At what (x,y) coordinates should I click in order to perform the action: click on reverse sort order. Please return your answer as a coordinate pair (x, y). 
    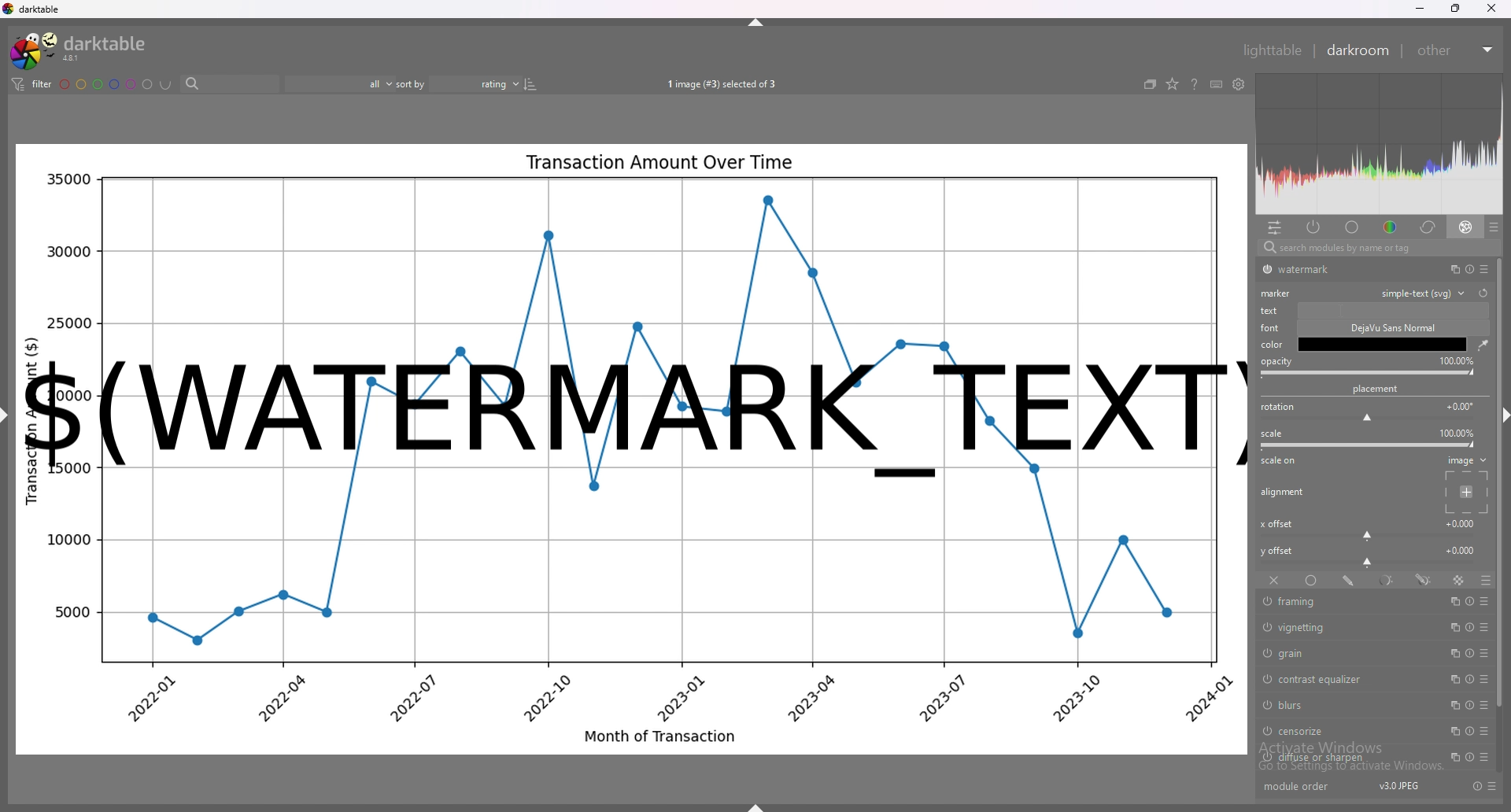
    Looking at the image, I should click on (530, 83).